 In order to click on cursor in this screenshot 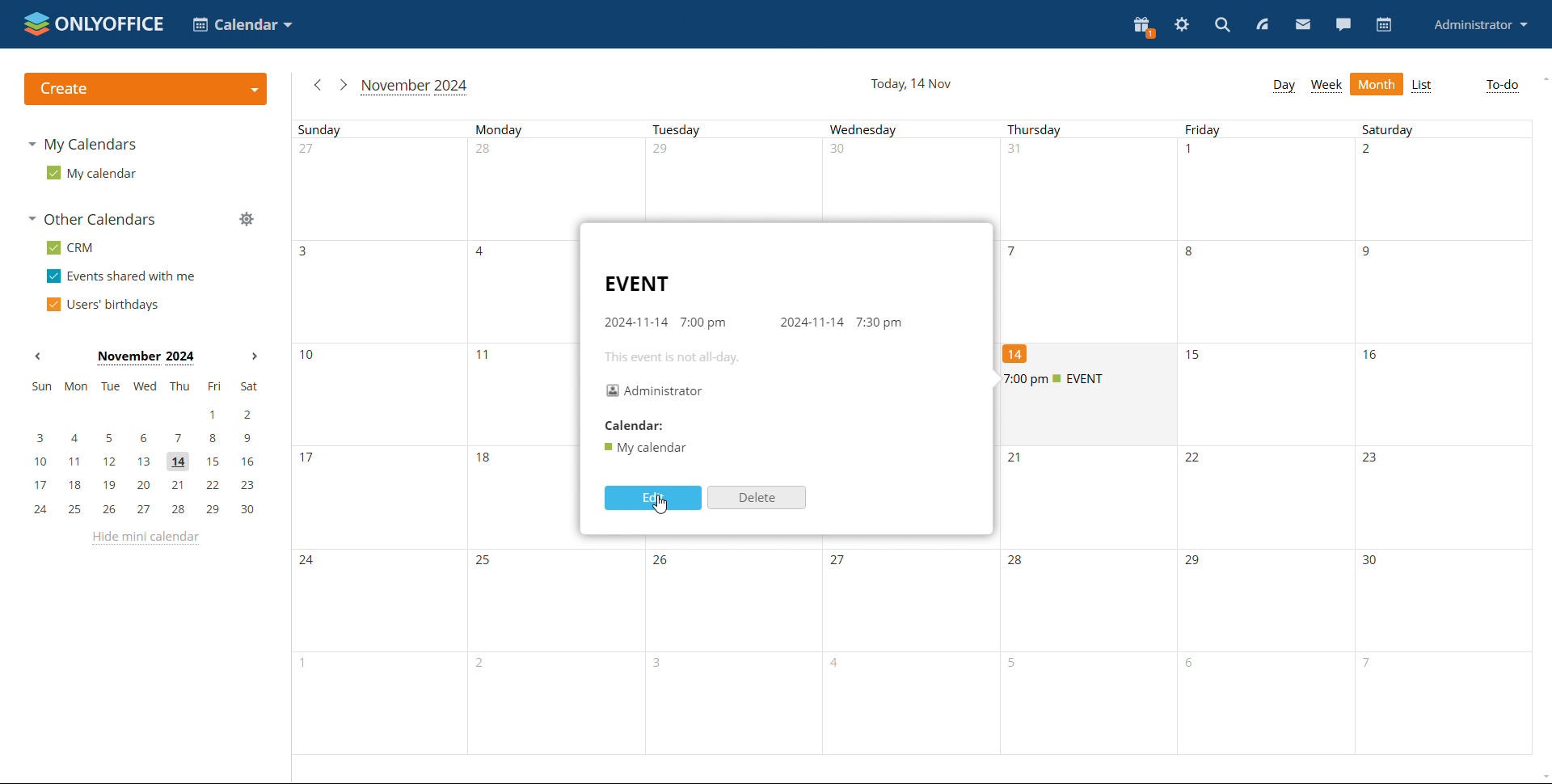, I will do `click(660, 506)`.